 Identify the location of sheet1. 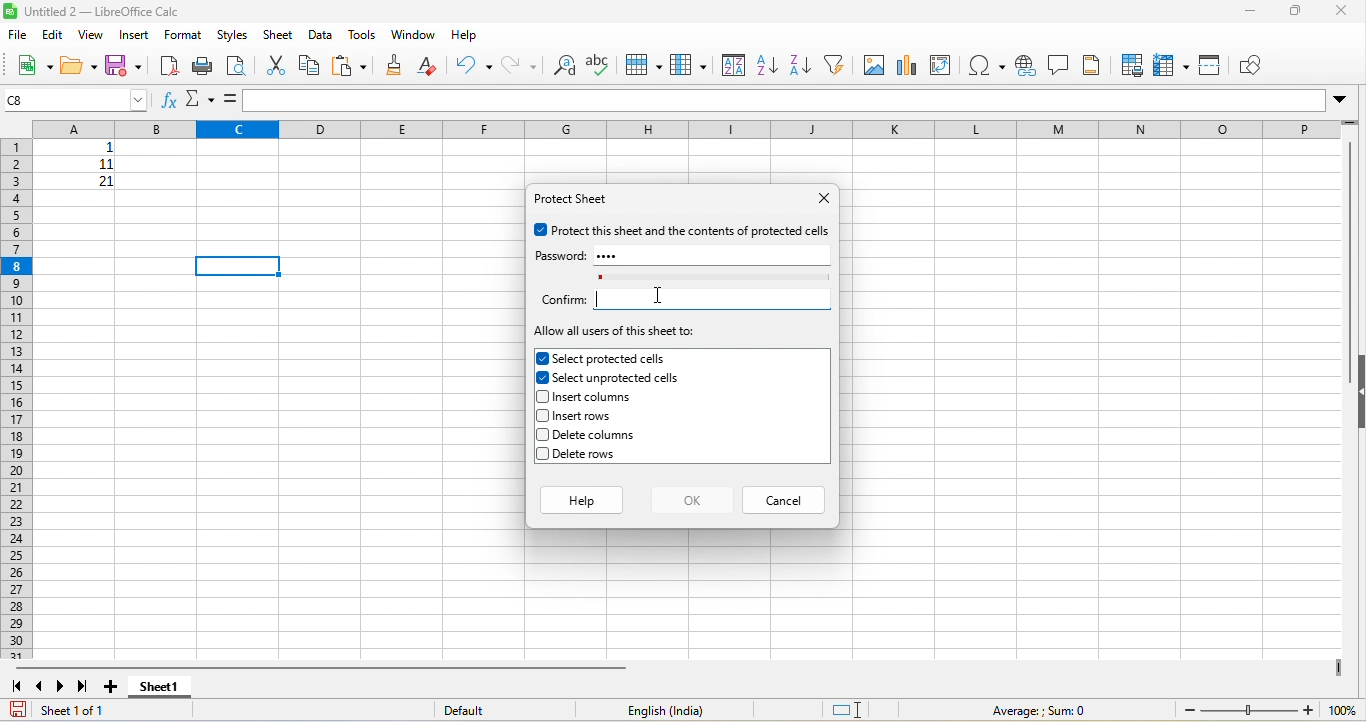
(180, 687).